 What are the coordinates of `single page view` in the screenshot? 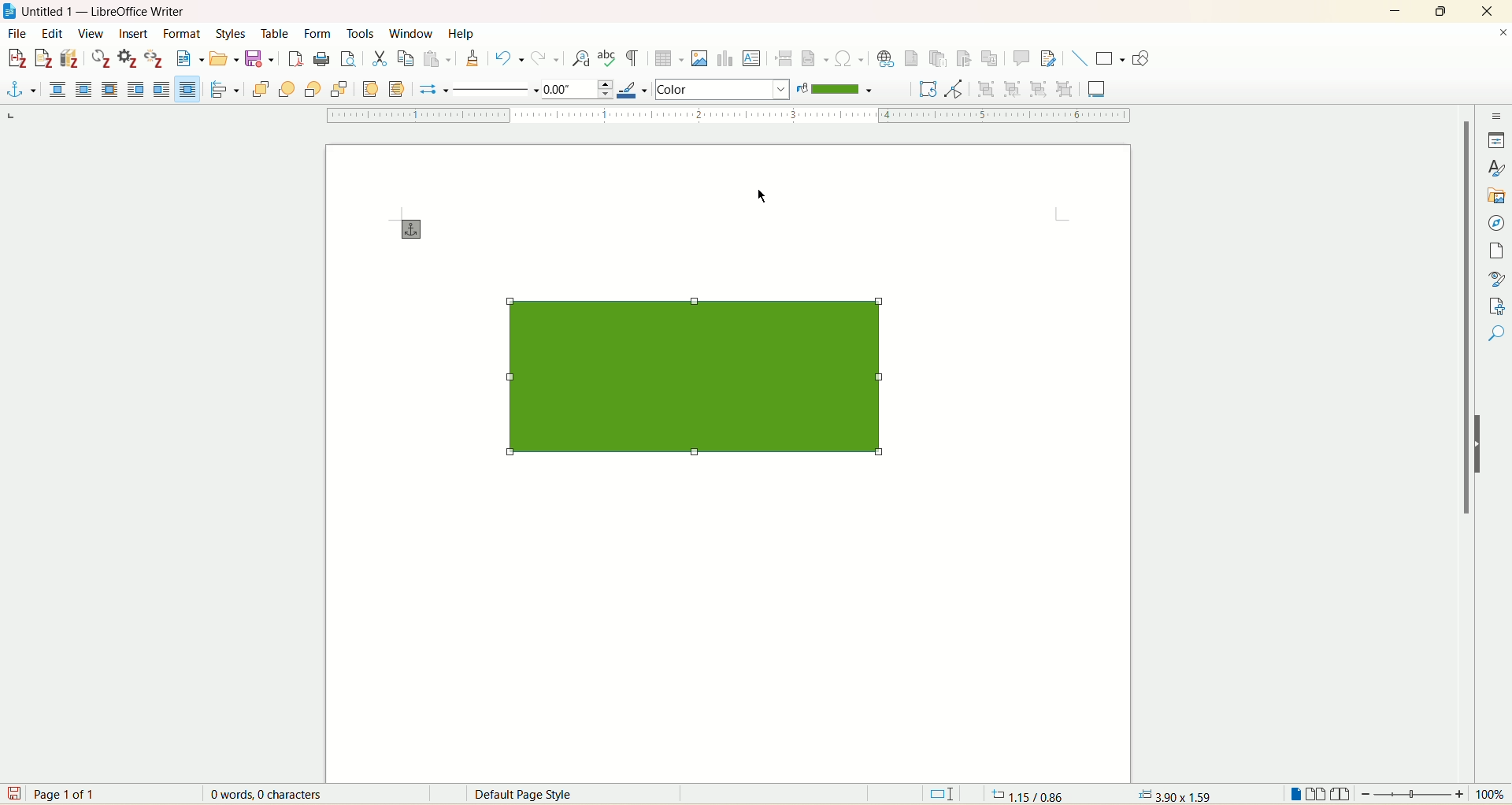 It's located at (1294, 794).